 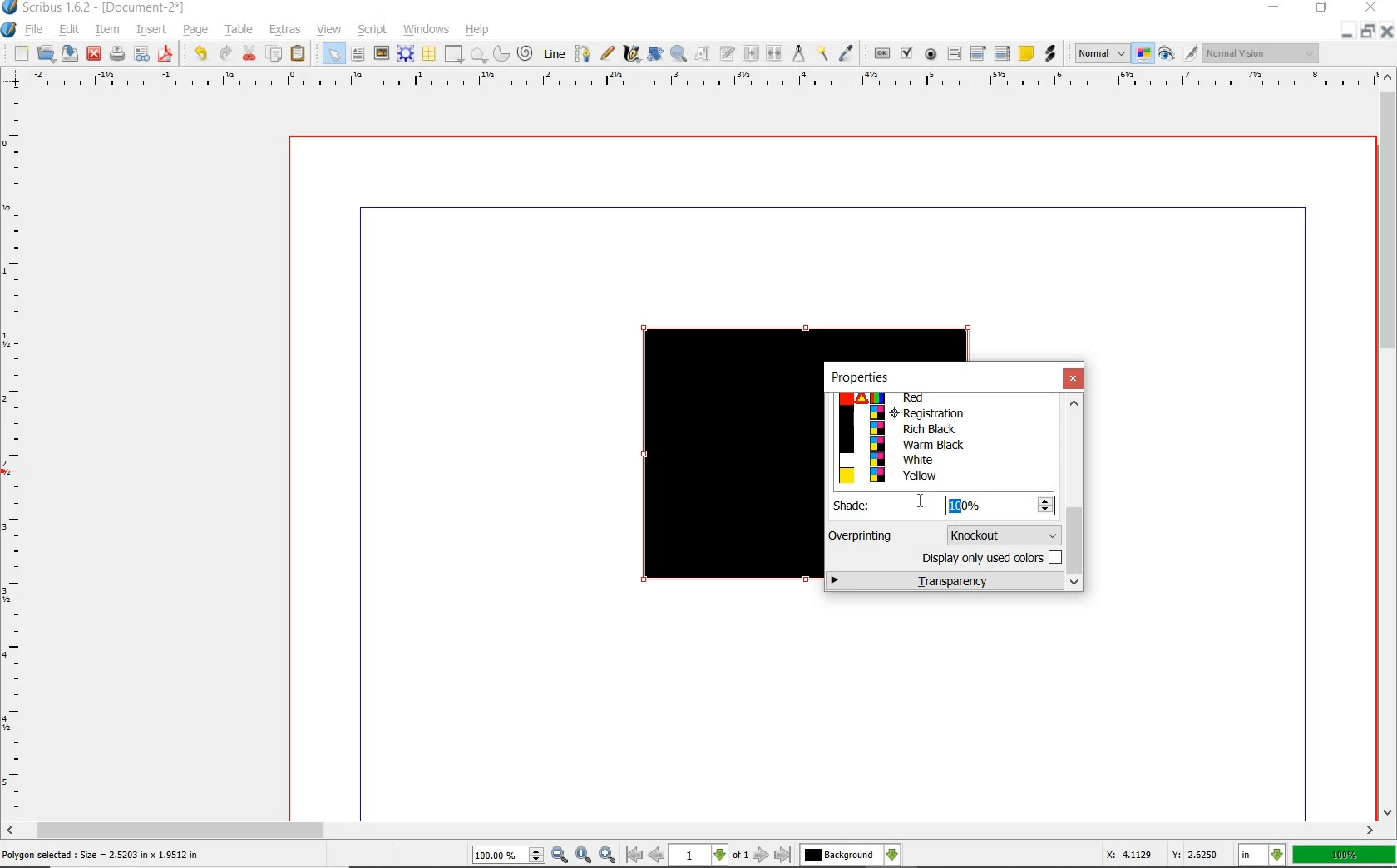 What do you see at coordinates (167, 54) in the screenshot?
I see `save as pdf` at bounding box center [167, 54].